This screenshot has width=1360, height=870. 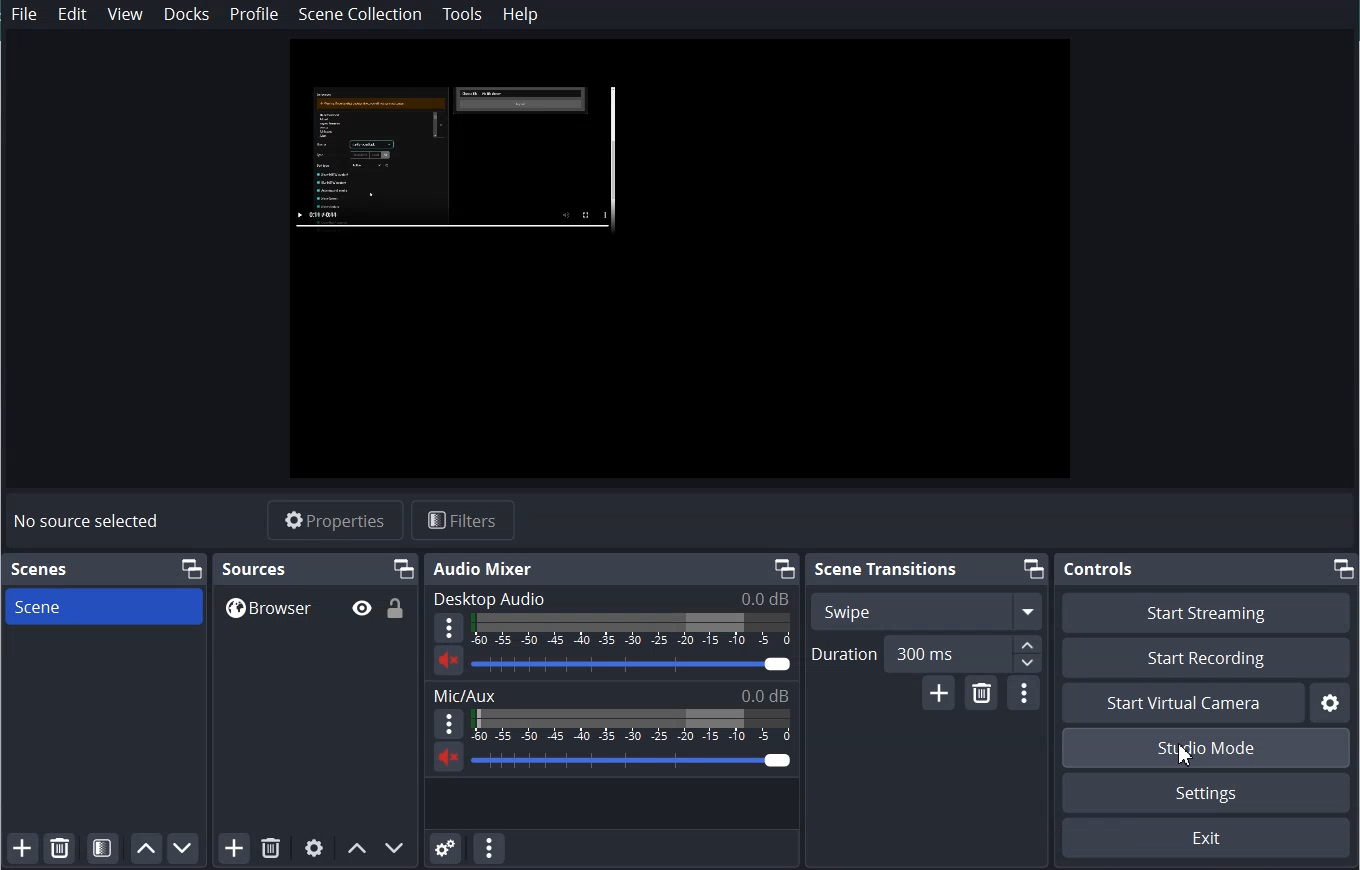 I want to click on Settings, so click(x=1206, y=792).